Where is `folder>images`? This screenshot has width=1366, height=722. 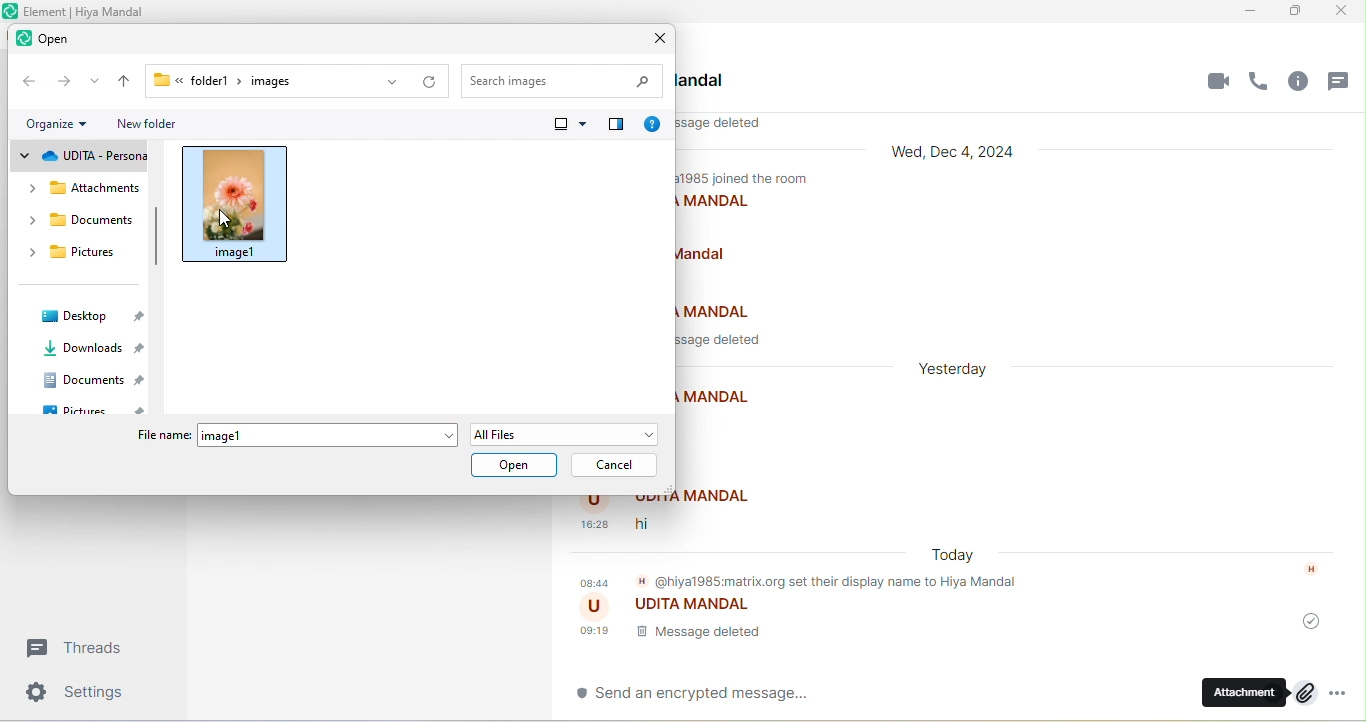
folder>images is located at coordinates (257, 79).